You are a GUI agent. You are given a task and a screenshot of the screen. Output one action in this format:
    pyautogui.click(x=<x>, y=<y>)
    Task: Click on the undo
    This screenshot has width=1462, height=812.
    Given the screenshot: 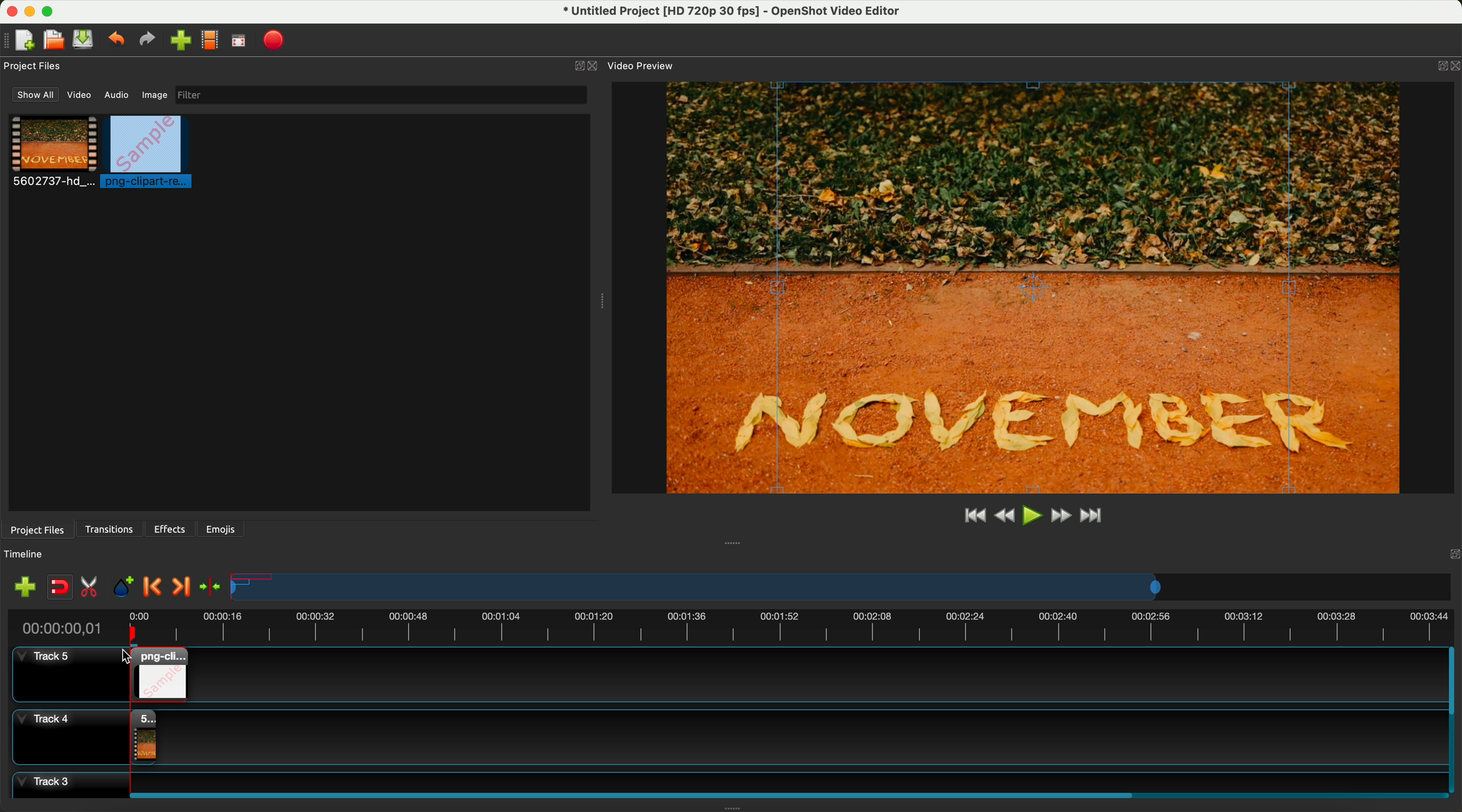 What is the action you would take?
    pyautogui.click(x=118, y=41)
    